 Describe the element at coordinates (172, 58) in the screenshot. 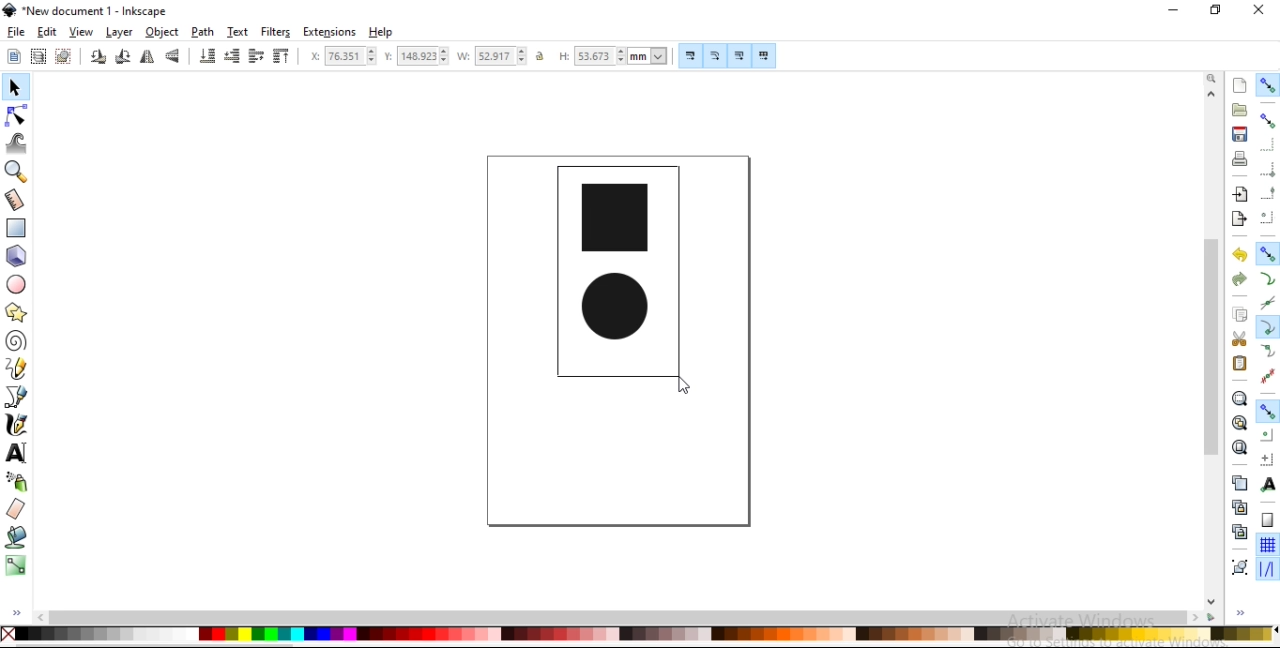

I see `flip vertical` at that location.